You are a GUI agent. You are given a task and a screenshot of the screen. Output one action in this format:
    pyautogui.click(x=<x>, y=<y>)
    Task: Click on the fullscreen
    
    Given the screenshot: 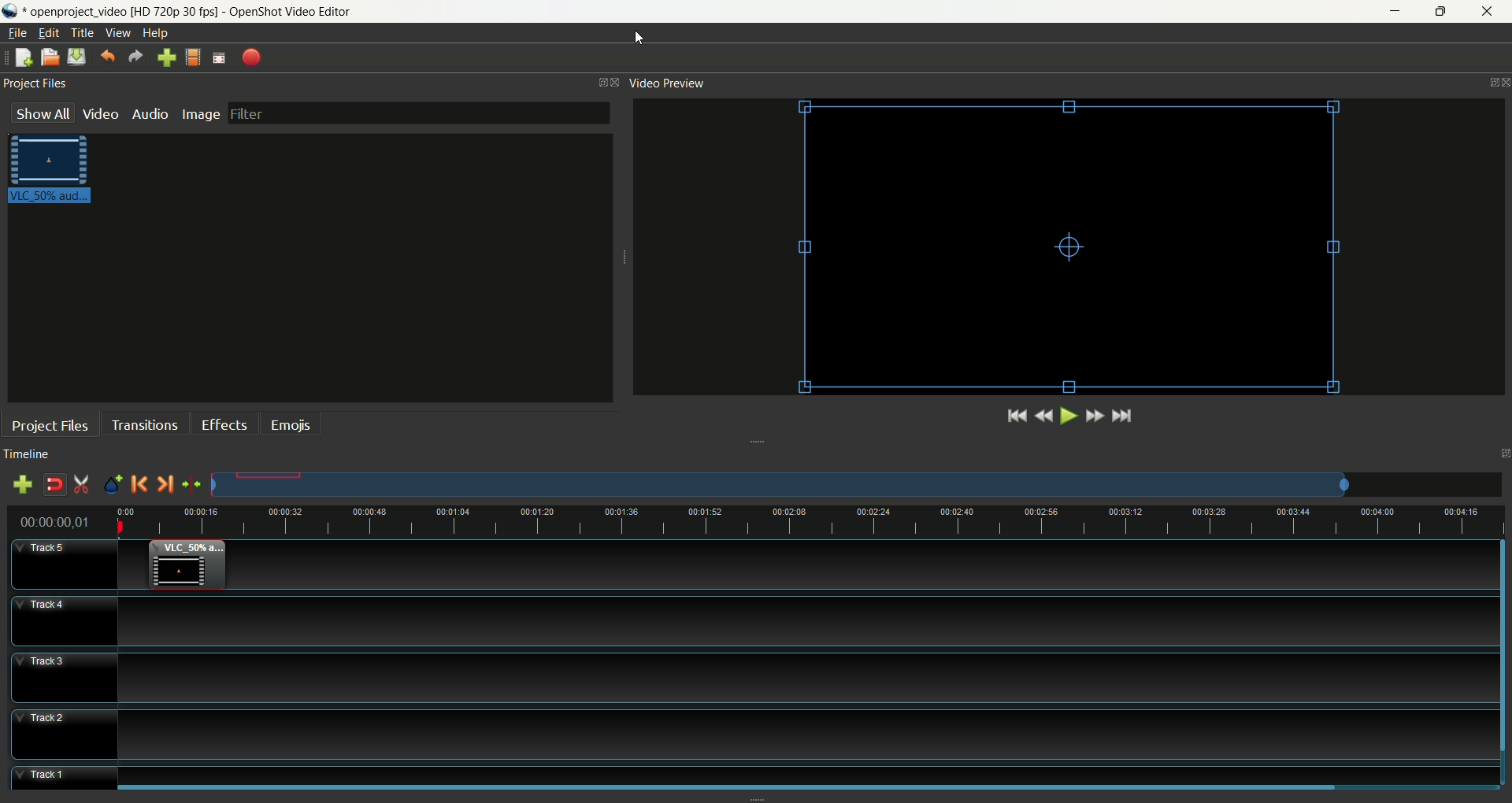 What is the action you would take?
    pyautogui.click(x=218, y=57)
    